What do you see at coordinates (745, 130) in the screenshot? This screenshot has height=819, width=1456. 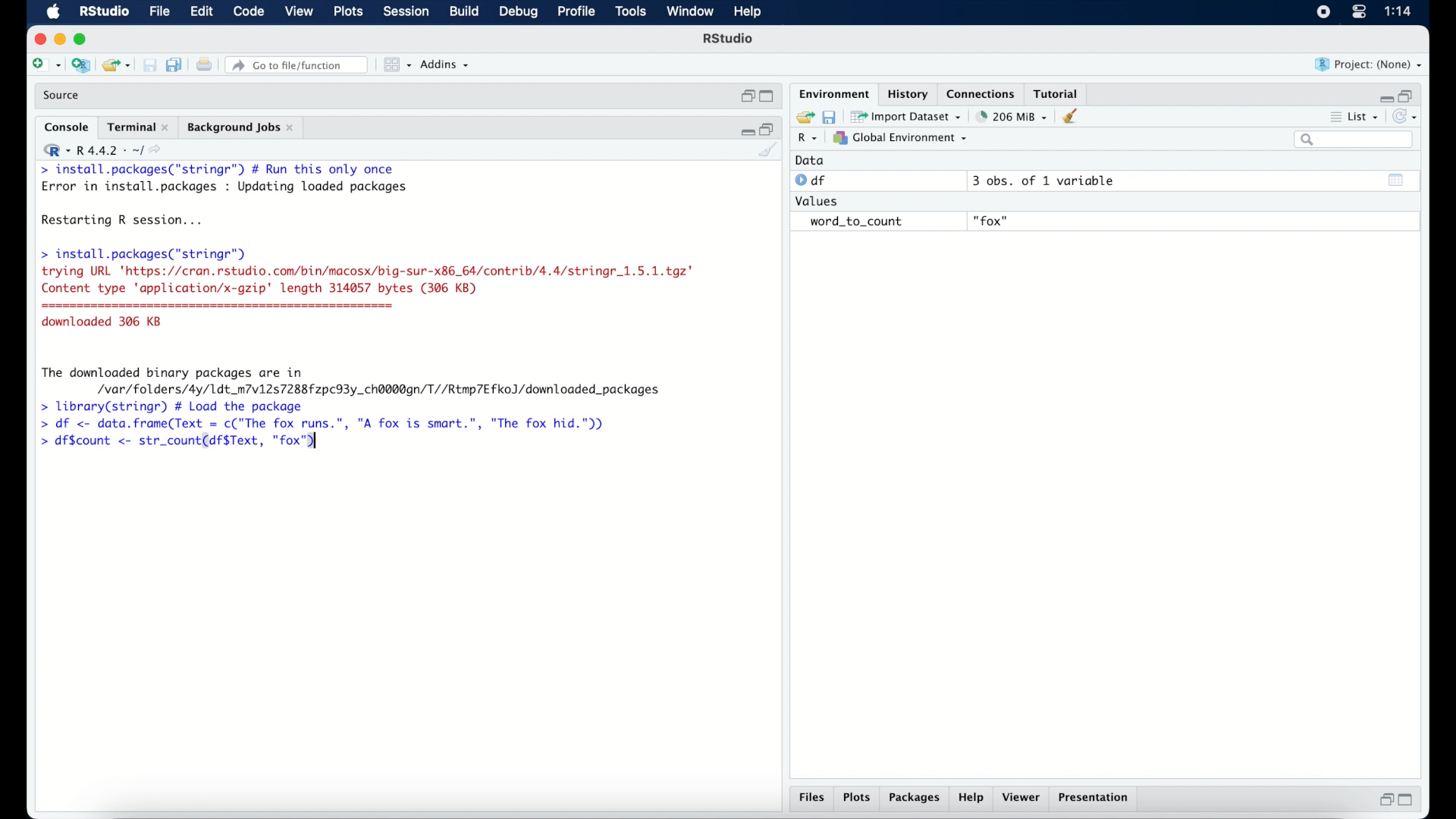 I see `minimize` at bounding box center [745, 130].